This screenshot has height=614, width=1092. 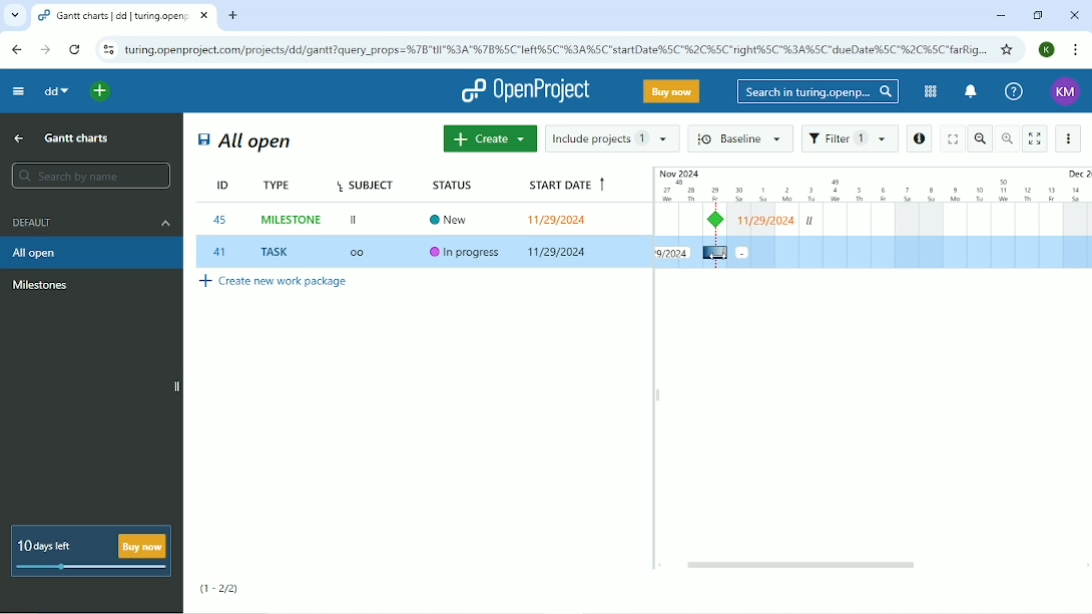 What do you see at coordinates (1012, 90) in the screenshot?
I see `Help` at bounding box center [1012, 90].